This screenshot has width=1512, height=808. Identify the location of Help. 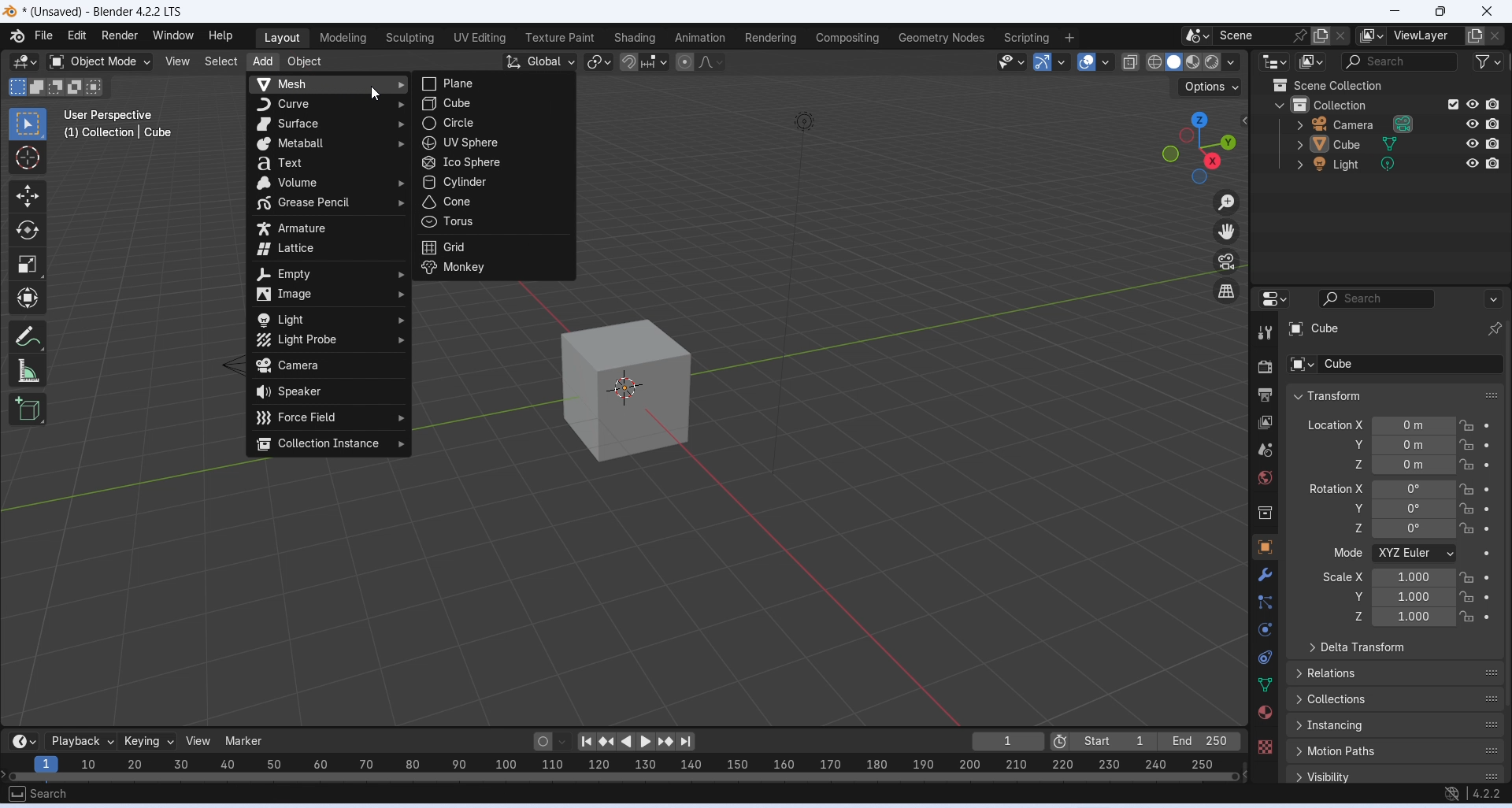
(220, 35).